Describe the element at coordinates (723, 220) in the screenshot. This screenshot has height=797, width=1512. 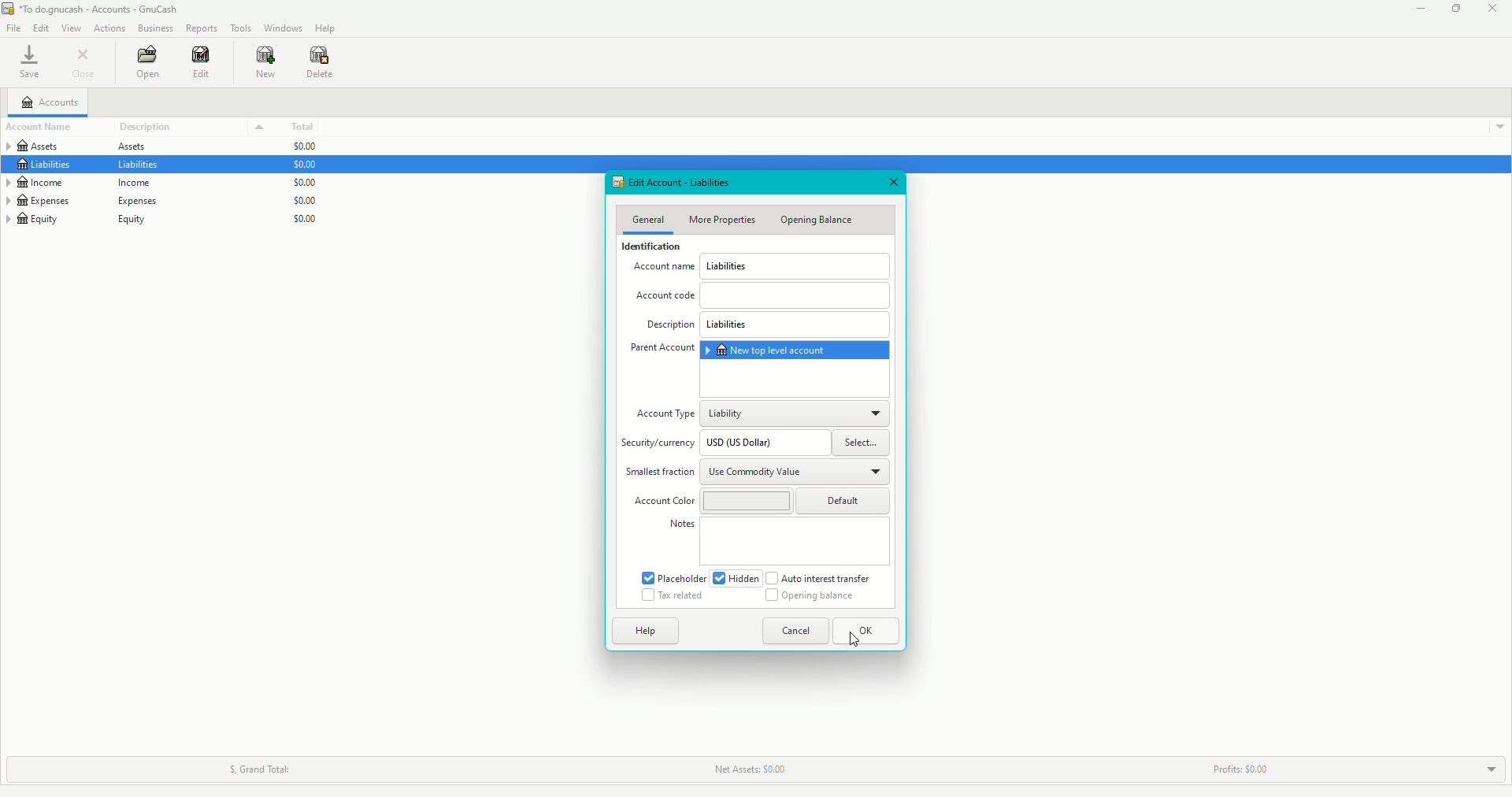
I see `More Properties` at that location.